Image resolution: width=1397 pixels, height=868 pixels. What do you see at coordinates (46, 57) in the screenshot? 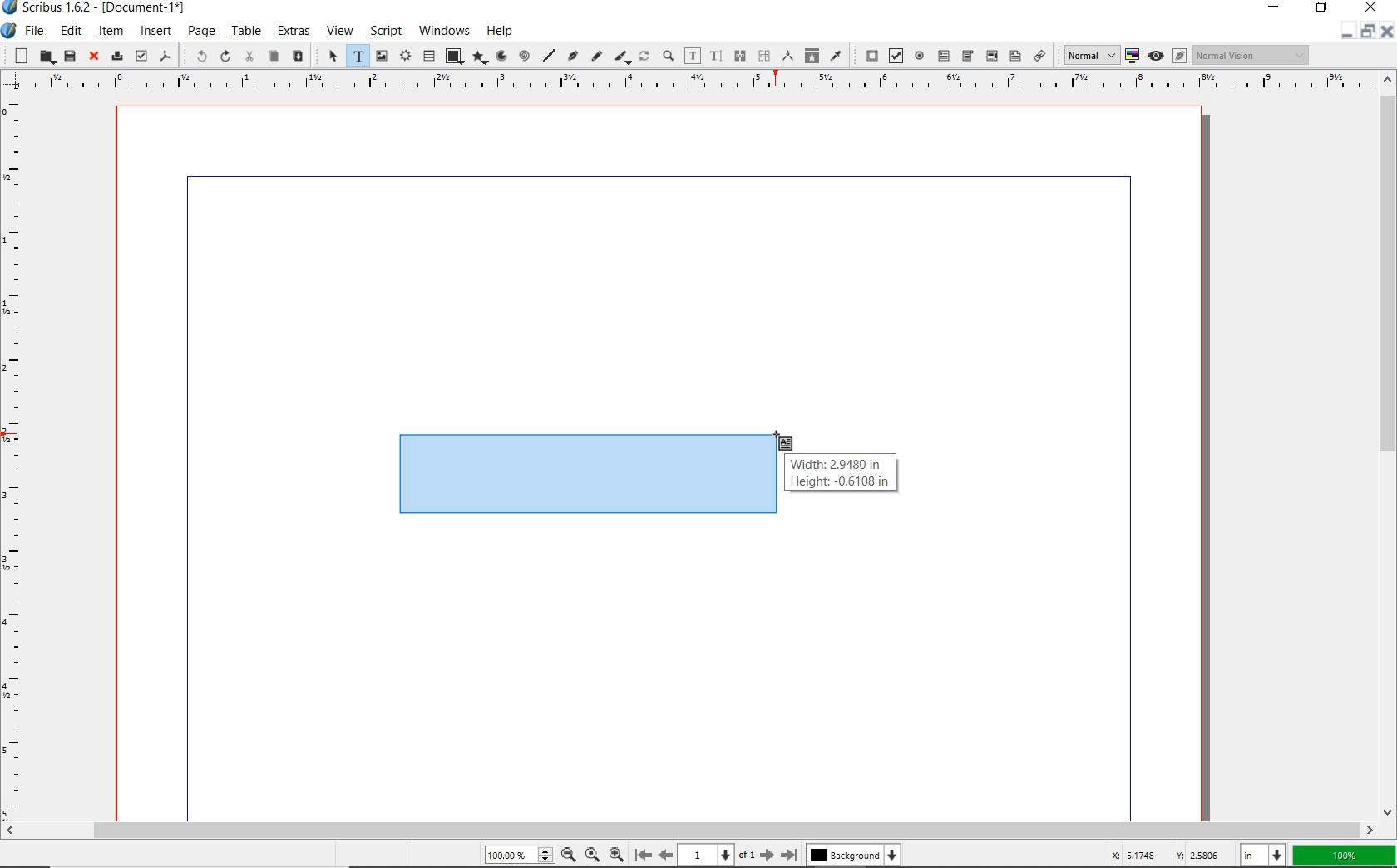
I see `open` at bounding box center [46, 57].